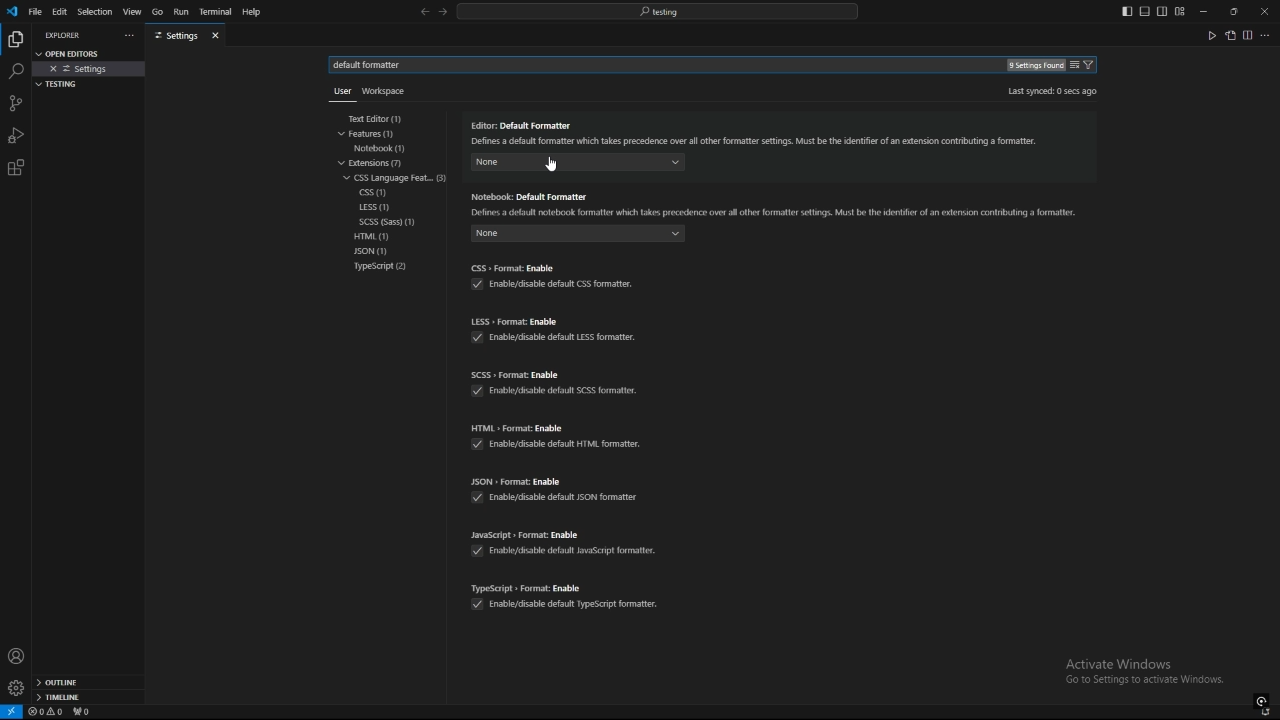 The width and height of the screenshot is (1280, 720). I want to click on edit, so click(60, 11).